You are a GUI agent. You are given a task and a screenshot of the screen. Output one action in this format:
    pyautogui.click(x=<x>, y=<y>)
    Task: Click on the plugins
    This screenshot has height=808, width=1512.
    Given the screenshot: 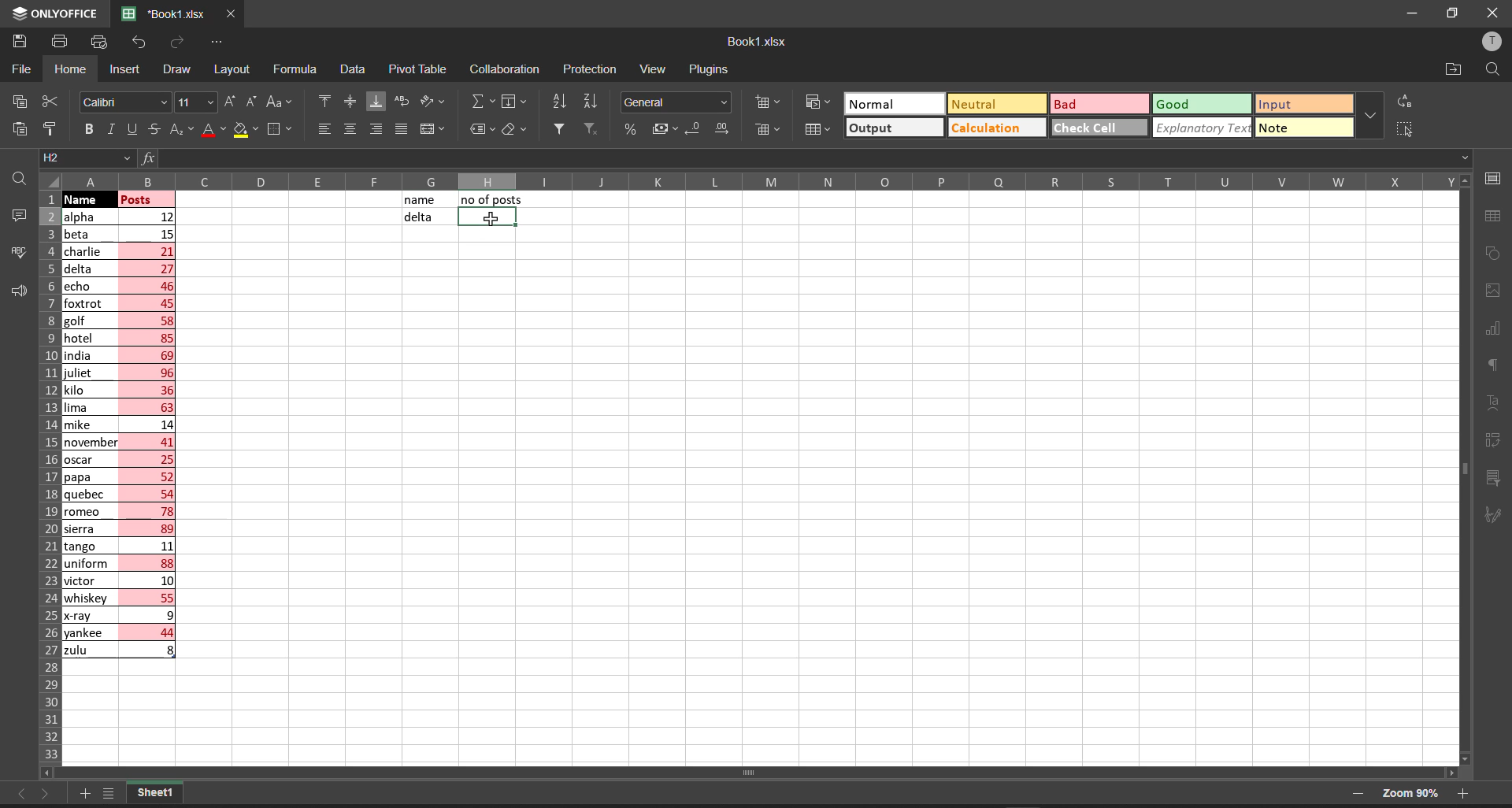 What is the action you would take?
    pyautogui.click(x=710, y=69)
    